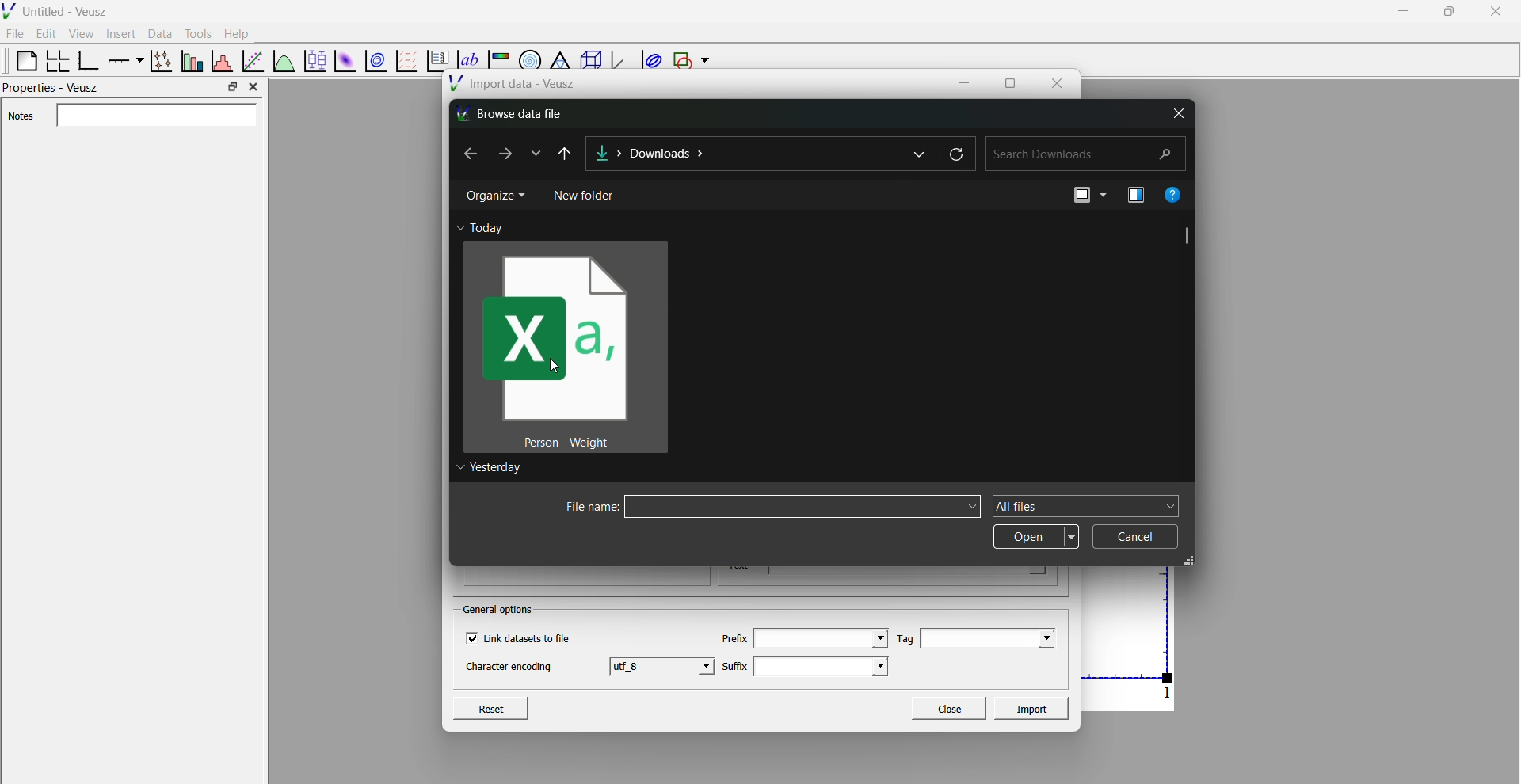  I want to click on Prefix, so click(734, 634).